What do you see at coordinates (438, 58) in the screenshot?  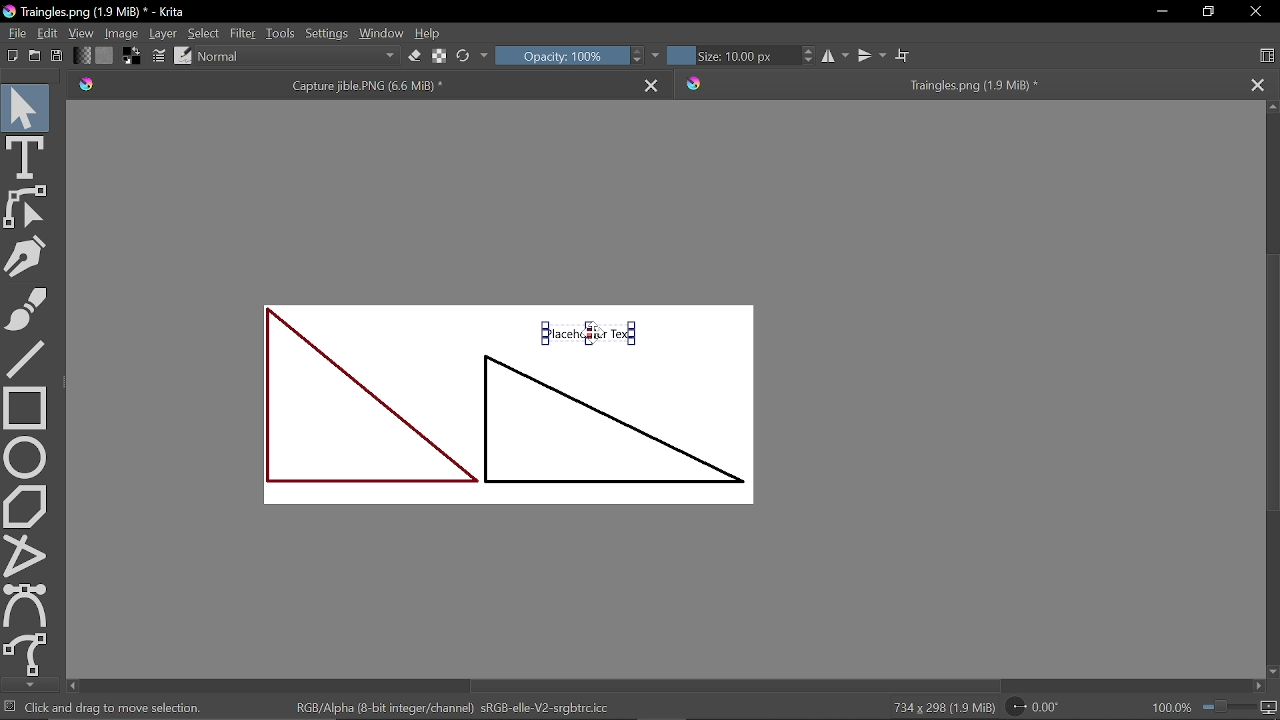 I see `Preserve alpha` at bounding box center [438, 58].